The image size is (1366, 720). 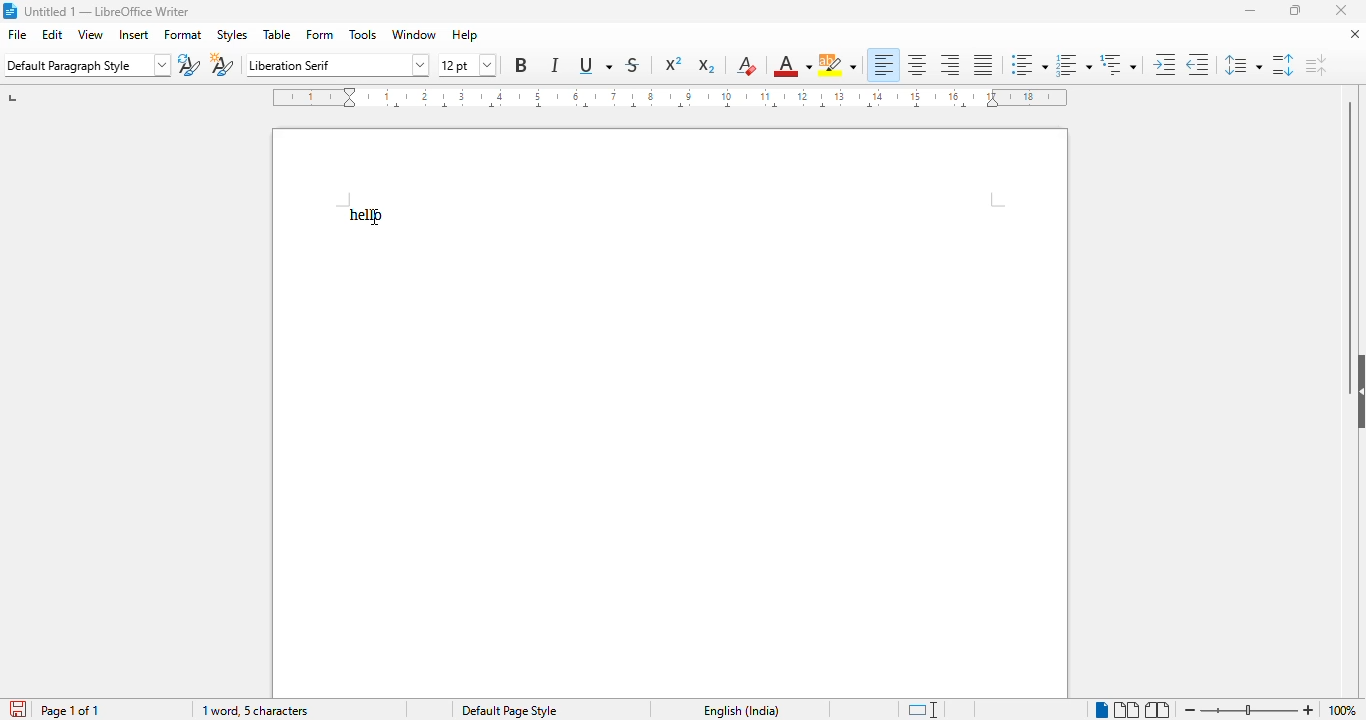 I want to click on align left, so click(x=884, y=64).